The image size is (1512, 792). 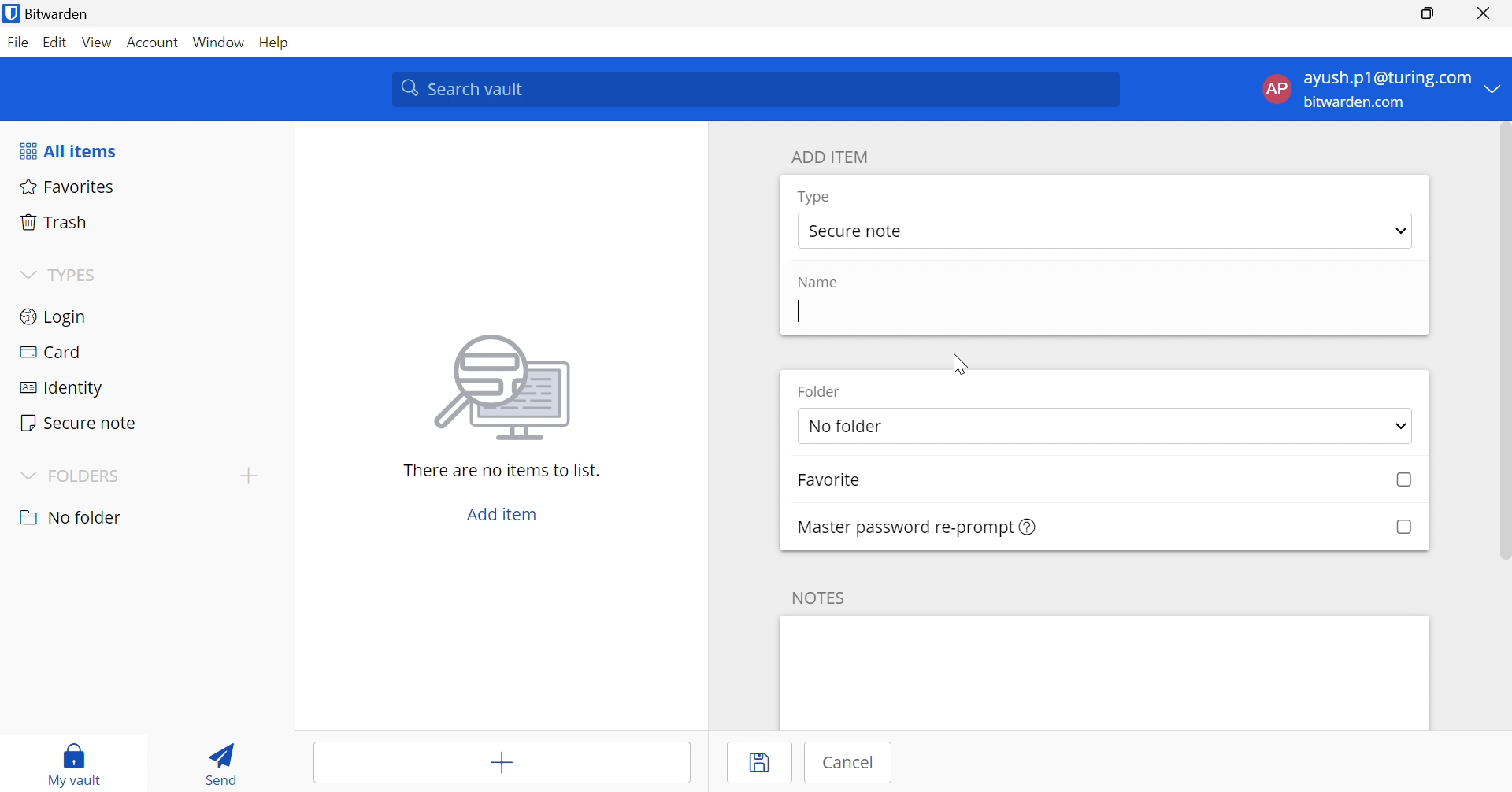 I want to click on Cancel, so click(x=843, y=764).